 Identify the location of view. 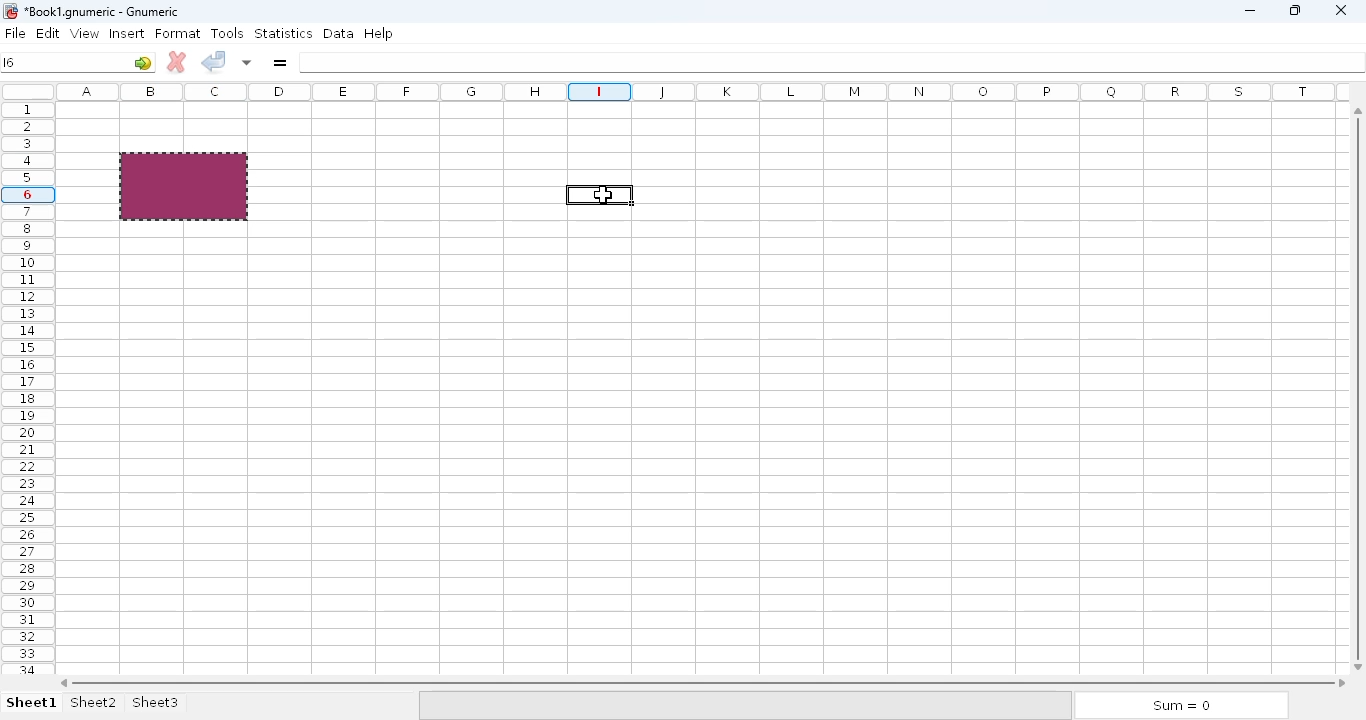
(84, 34).